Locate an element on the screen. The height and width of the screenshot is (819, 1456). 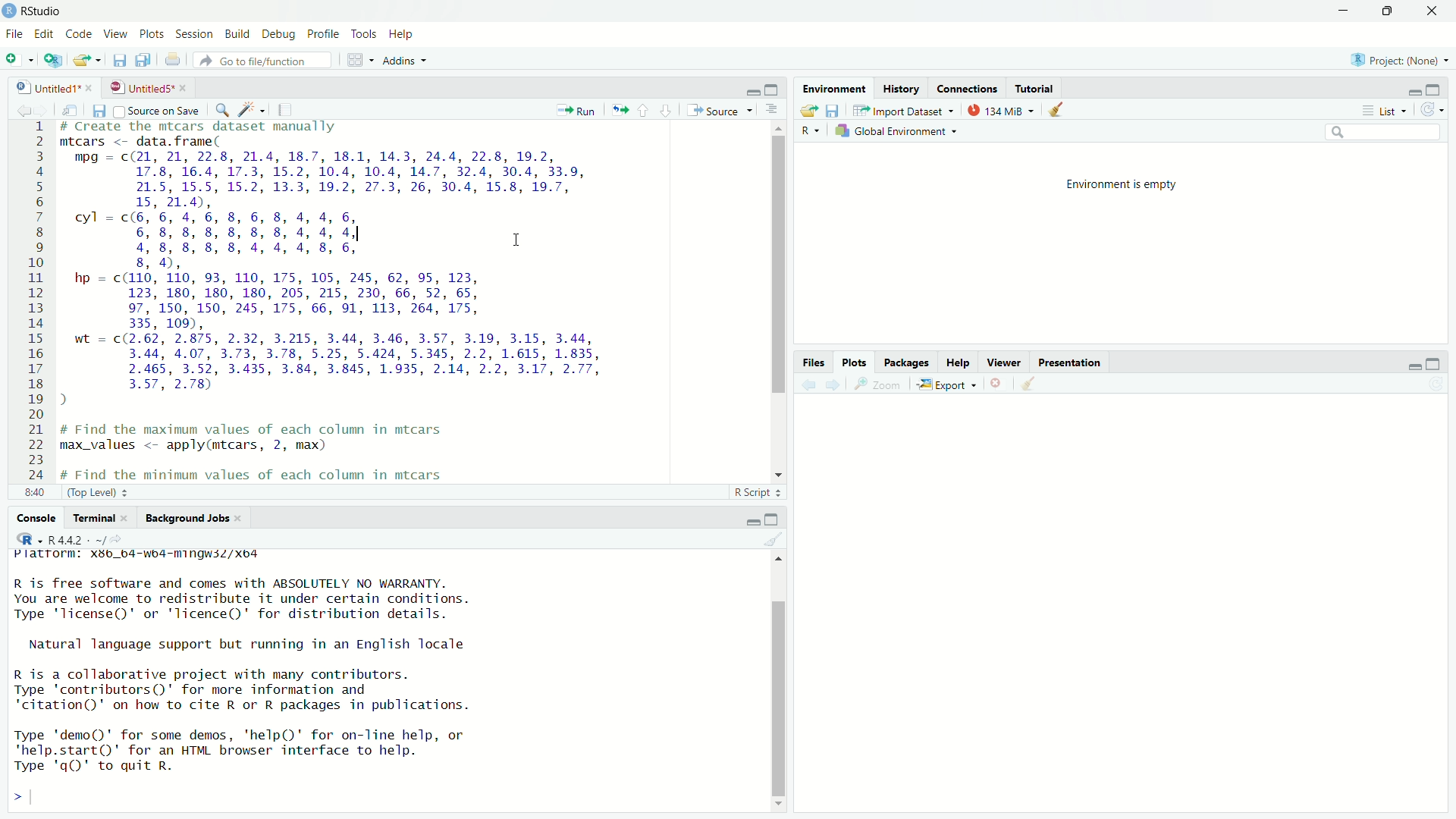
close is located at coordinates (1436, 11).